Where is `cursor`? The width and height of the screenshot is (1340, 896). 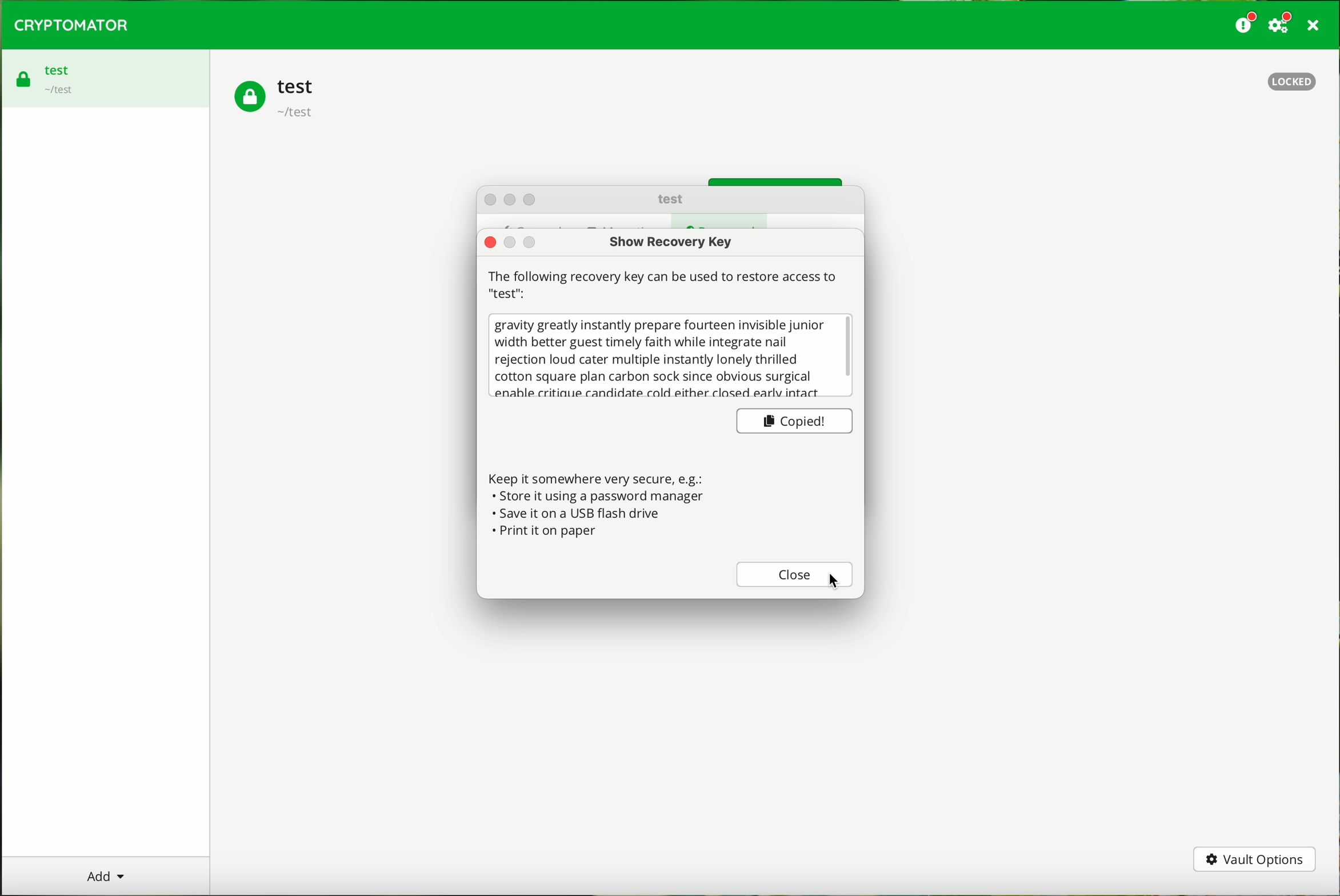
cursor is located at coordinates (835, 581).